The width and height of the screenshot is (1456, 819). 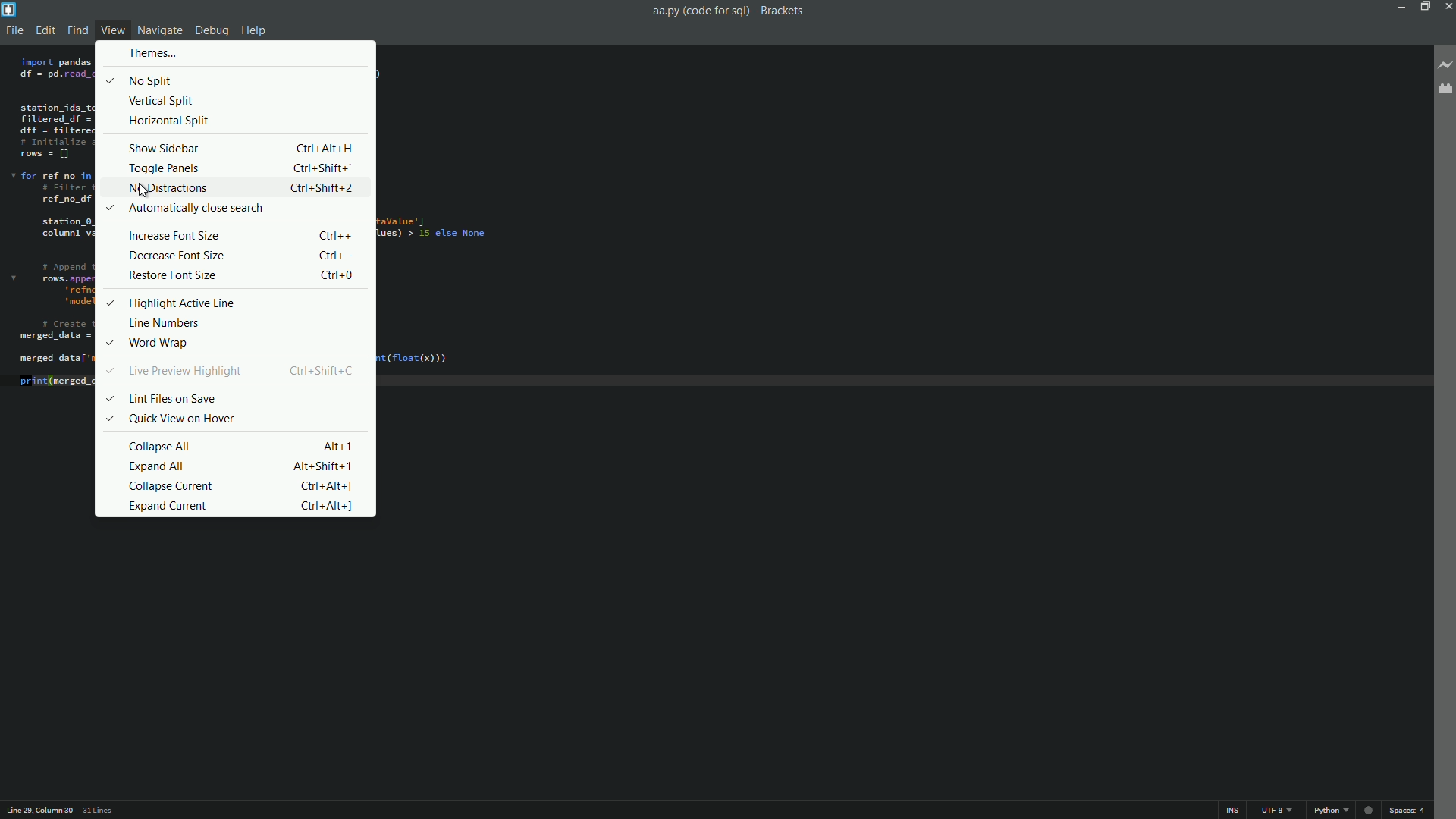 What do you see at coordinates (1368, 810) in the screenshot?
I see `Unsaved indicator` at bounding box center [1368, 810].